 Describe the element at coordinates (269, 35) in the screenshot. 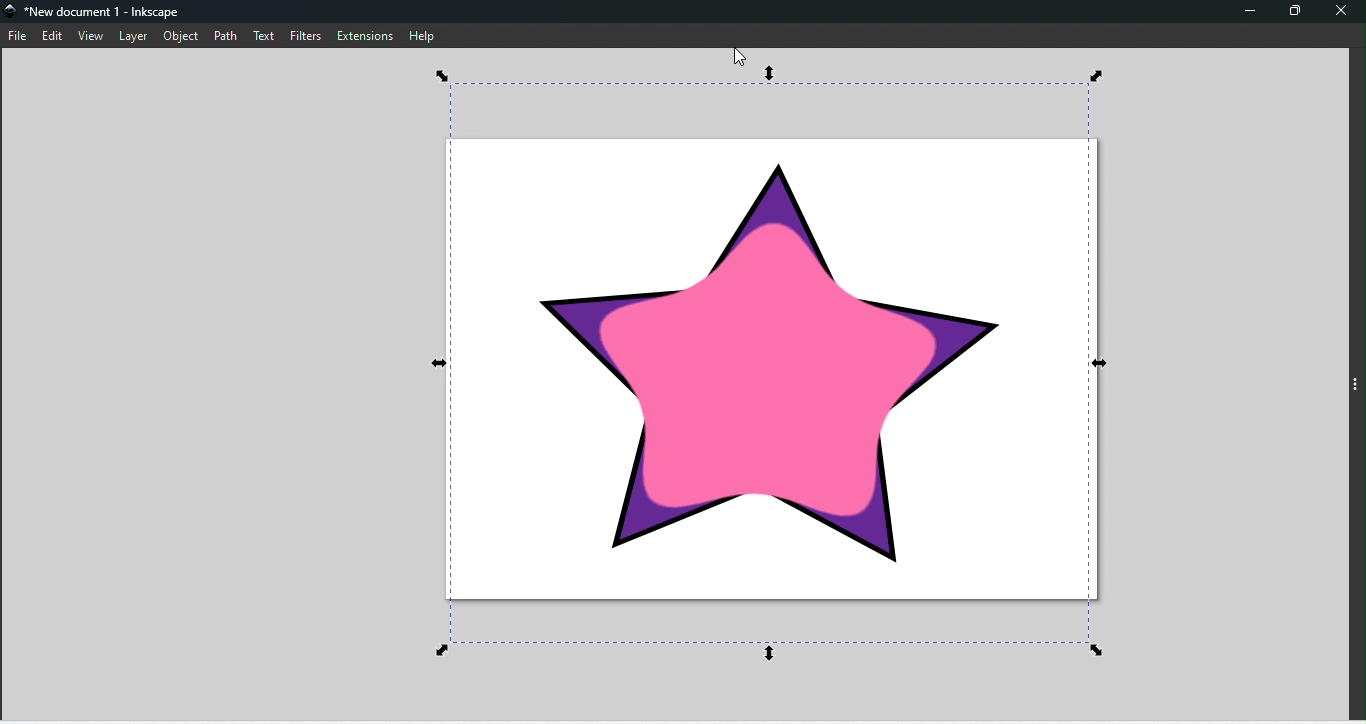

I see `Text` at that location.